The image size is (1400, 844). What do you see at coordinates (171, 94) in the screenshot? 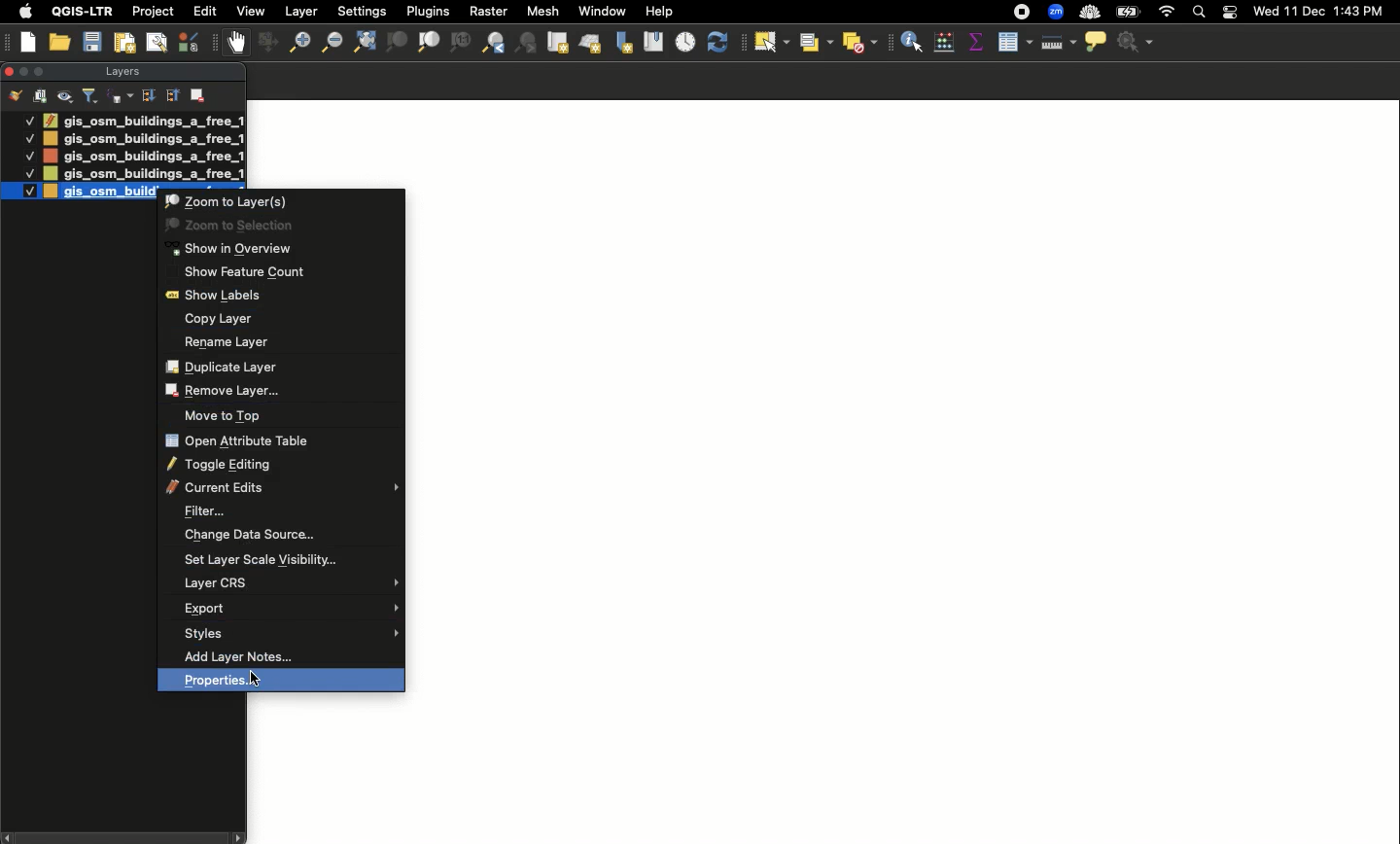
I see `Sort ascending` at bounding box center [171, 94].